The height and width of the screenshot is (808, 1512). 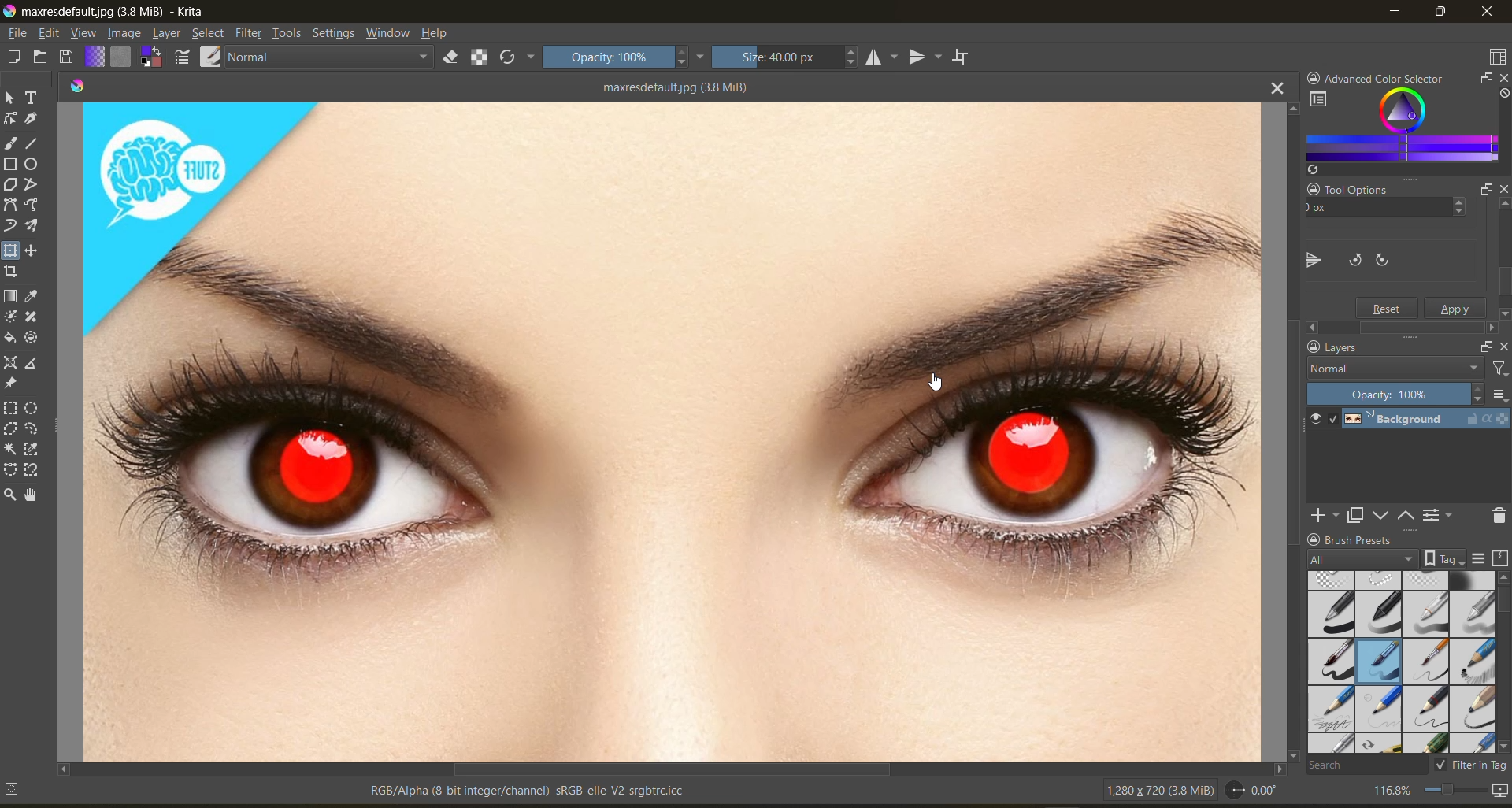 What do you see at coordinates (12, 97) in the screenshot?
I see `tool` at bounding box center [12, 97].